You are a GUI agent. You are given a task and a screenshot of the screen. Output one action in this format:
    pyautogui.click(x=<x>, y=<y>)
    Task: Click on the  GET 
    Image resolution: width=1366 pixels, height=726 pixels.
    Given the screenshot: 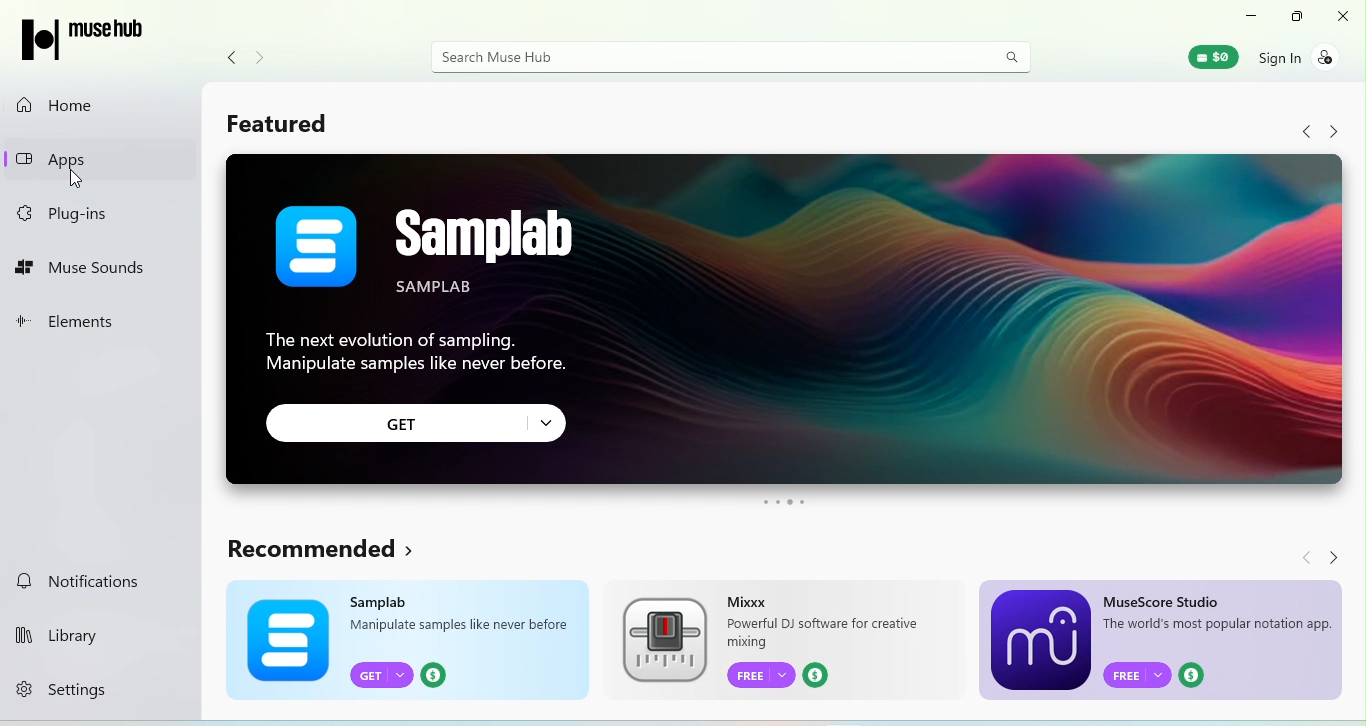 What is the action you would take?
    pyautogui.click(x=417, y=423)
    